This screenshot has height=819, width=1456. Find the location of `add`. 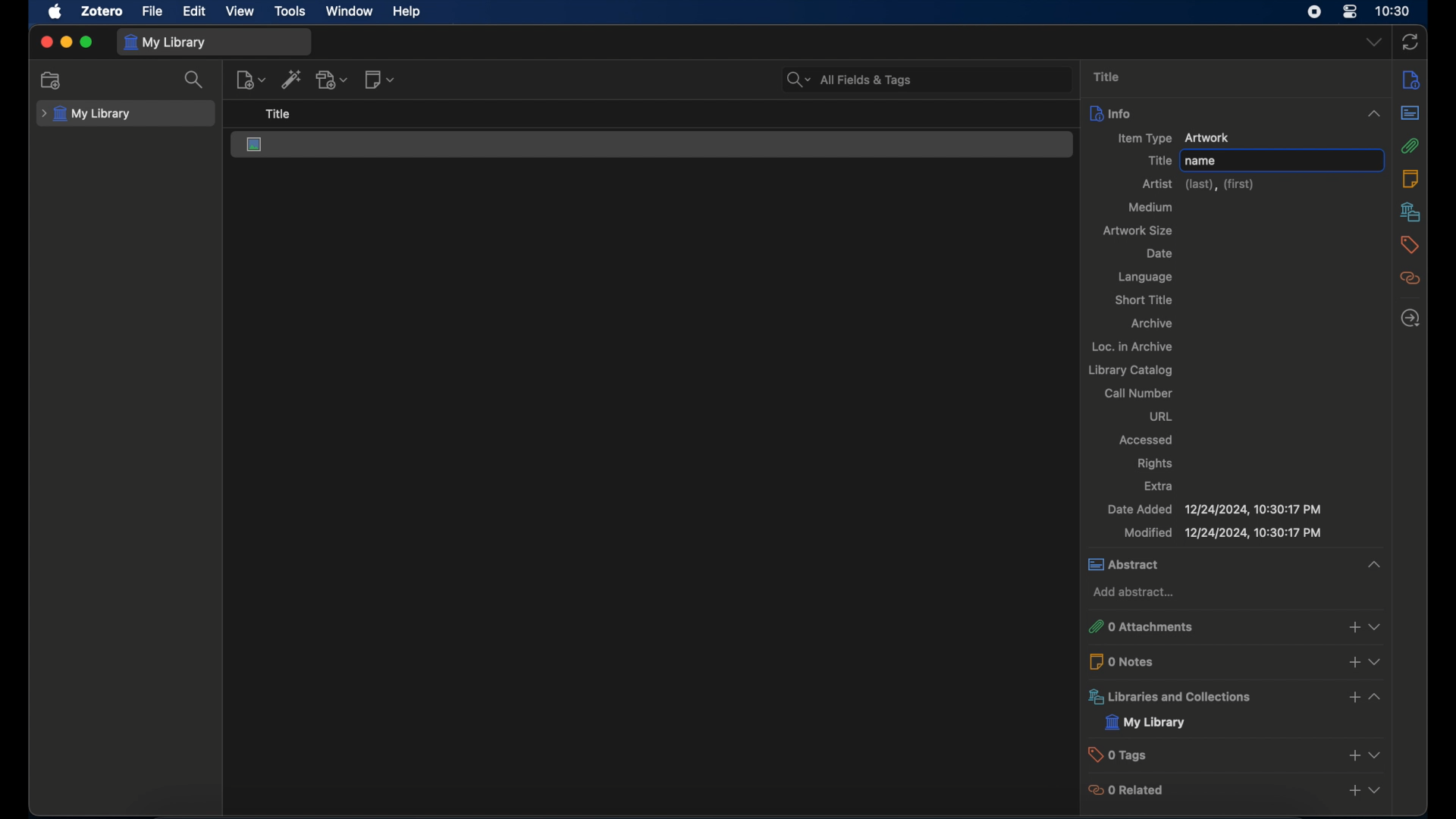

add is located at coordinates (1353, 666).